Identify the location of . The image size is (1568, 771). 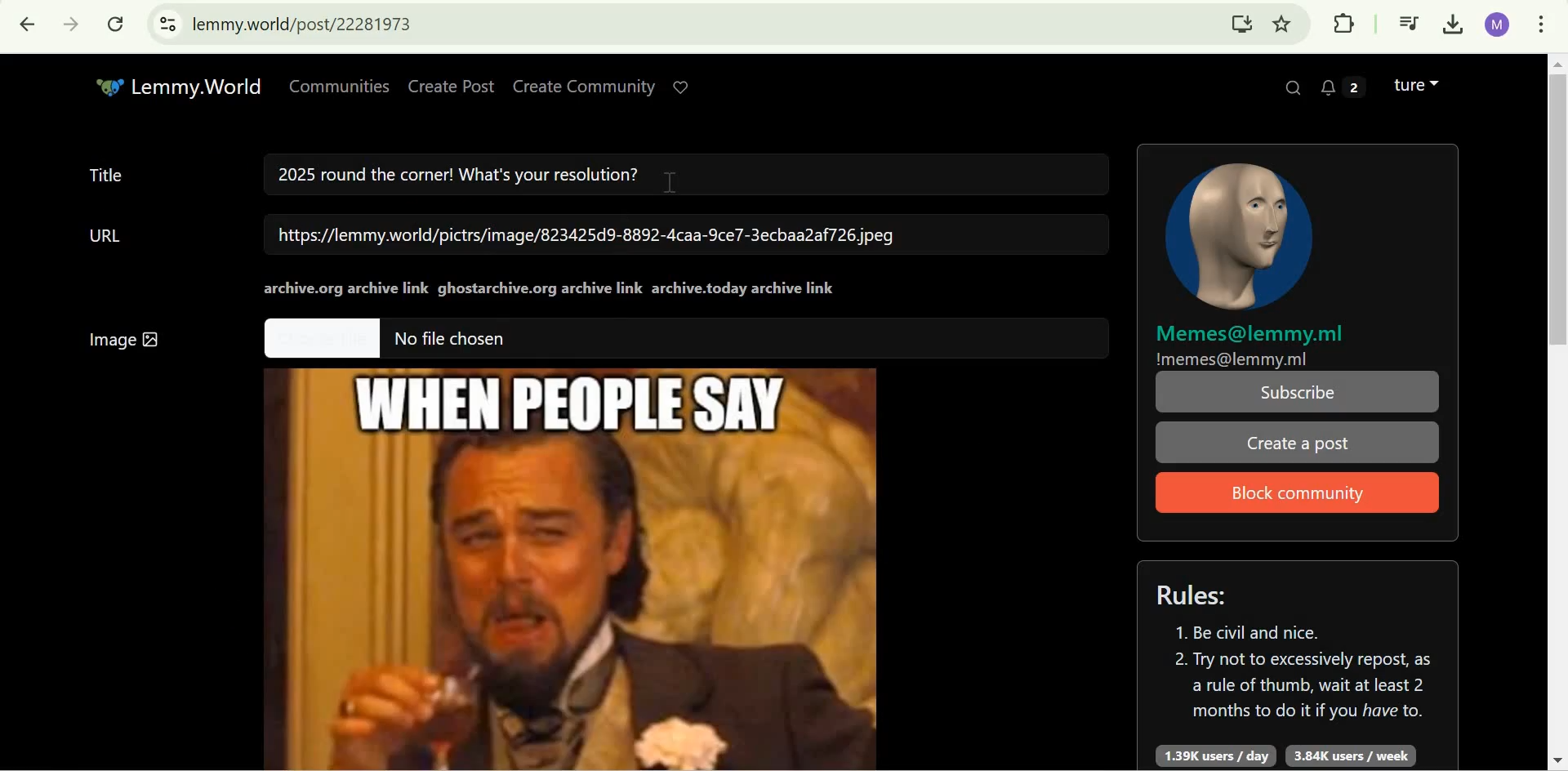
(106, 85).